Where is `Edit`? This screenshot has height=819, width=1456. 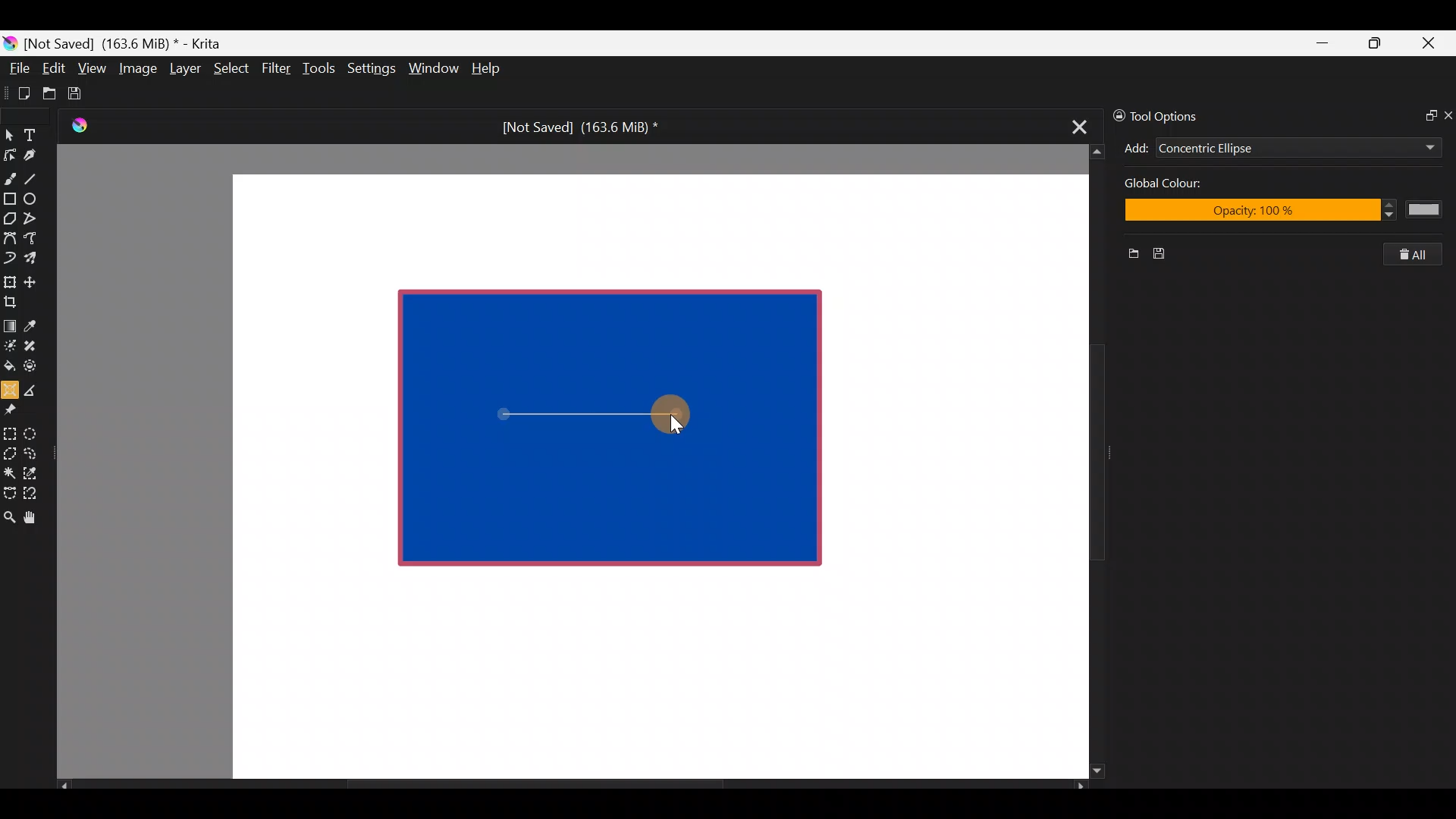 Edit is located at coordinates (53, 71).